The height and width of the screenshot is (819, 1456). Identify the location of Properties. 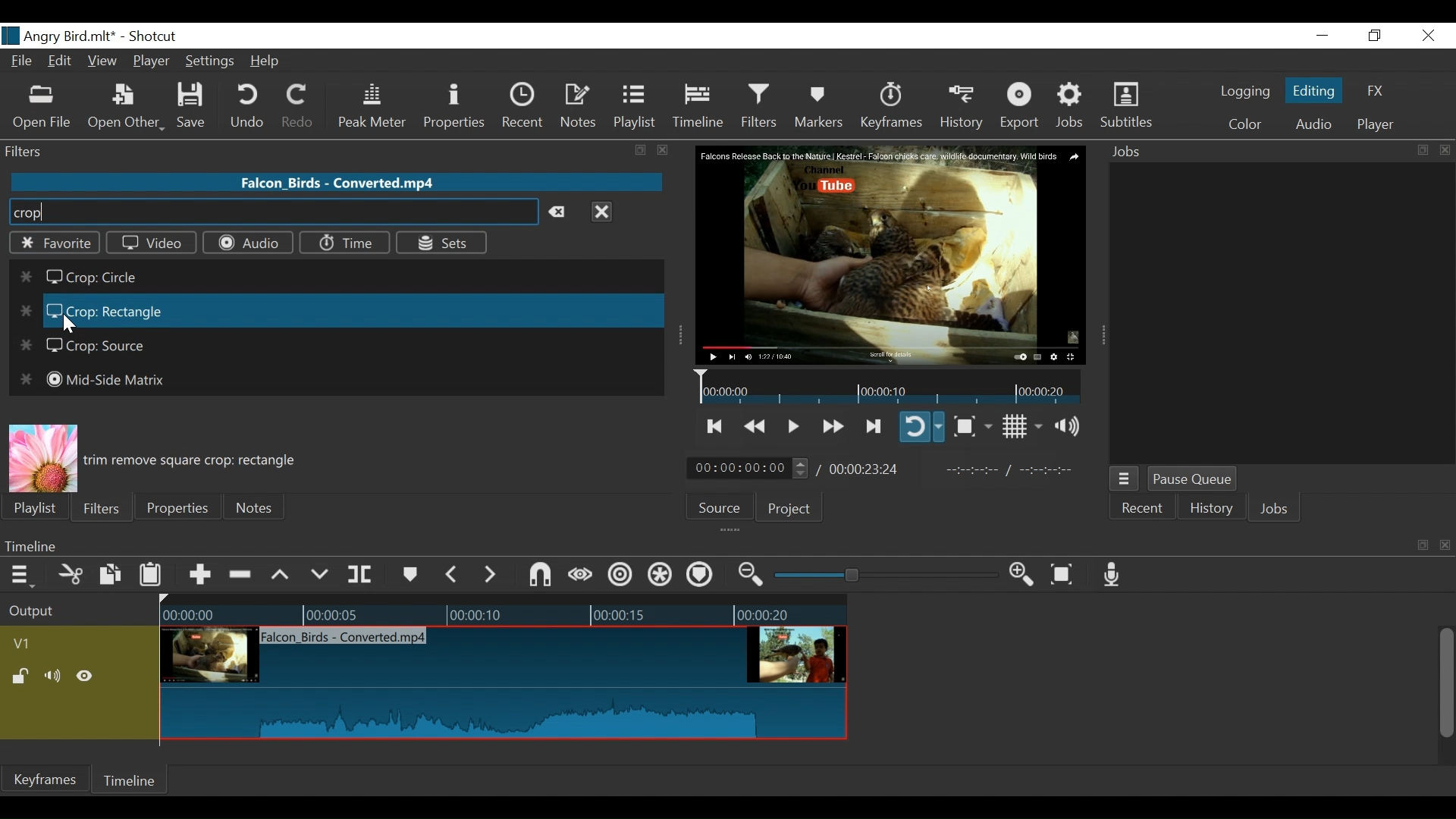
(175, 507).